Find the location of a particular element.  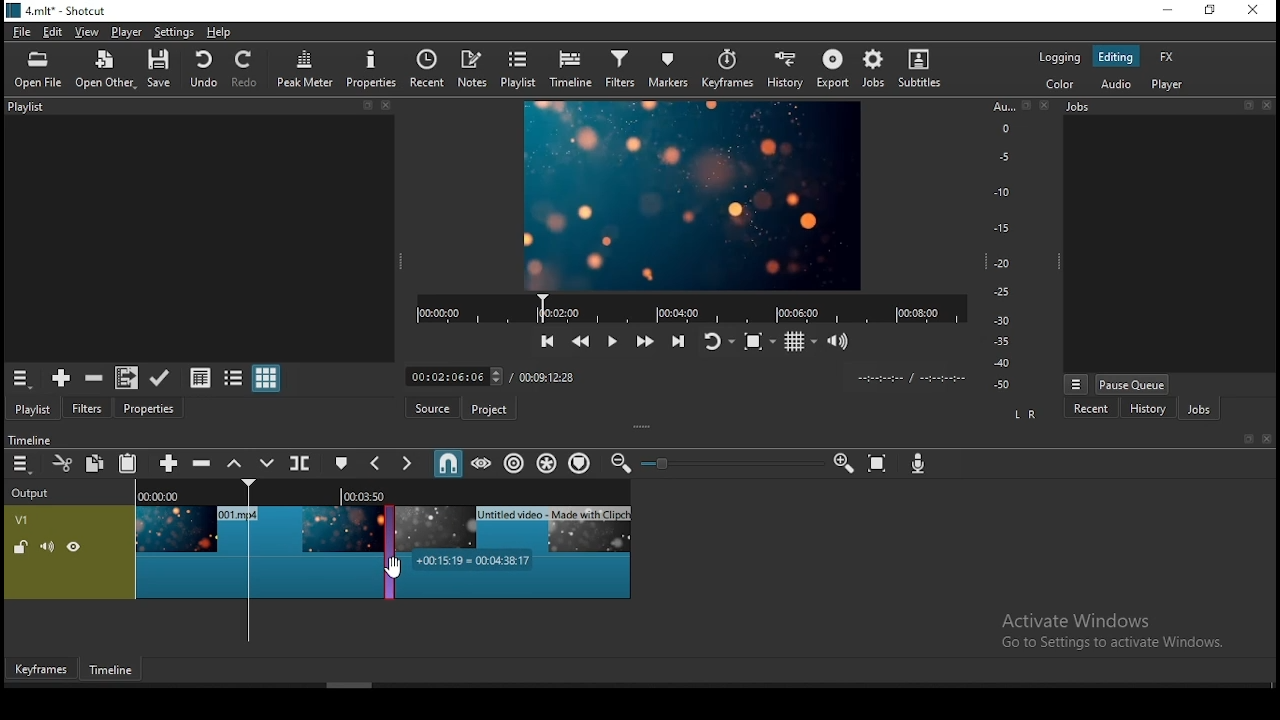

timeline is located at coordinates (111, 670).